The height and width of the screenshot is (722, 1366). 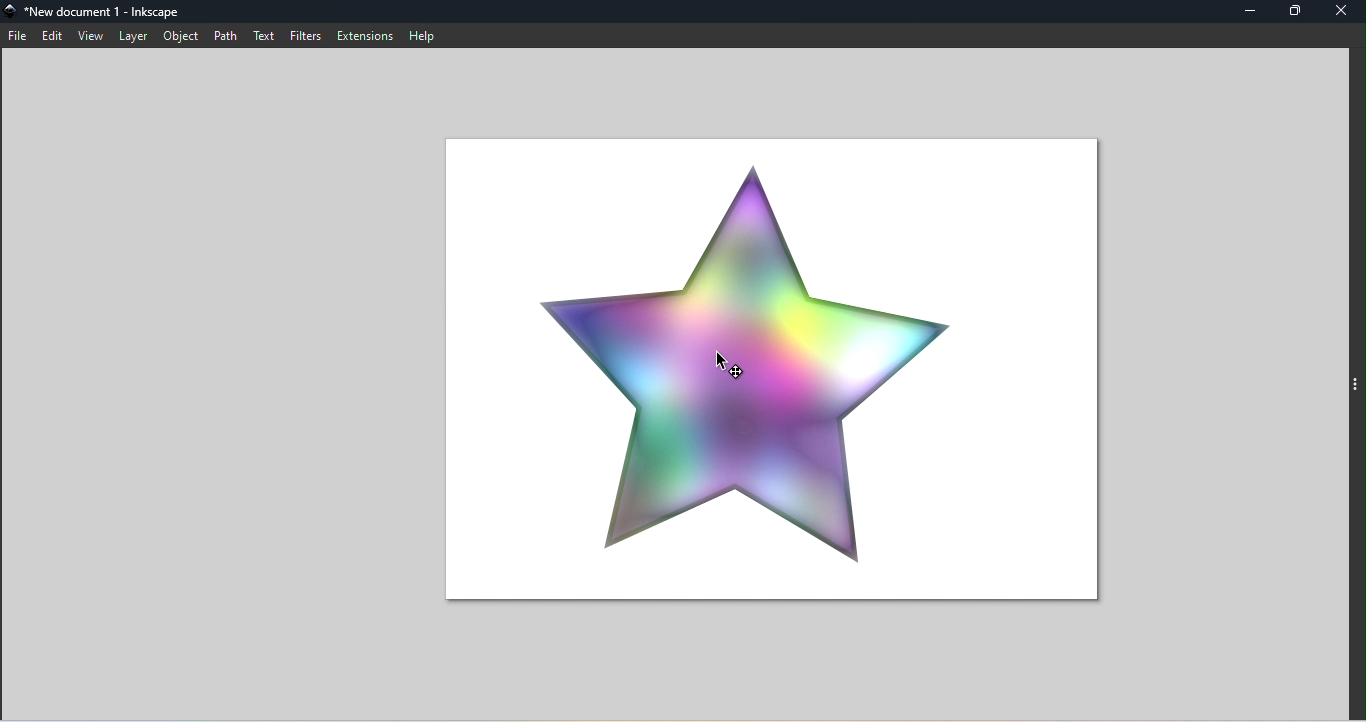 I want to click on cursor, so click(x=725, y=363).